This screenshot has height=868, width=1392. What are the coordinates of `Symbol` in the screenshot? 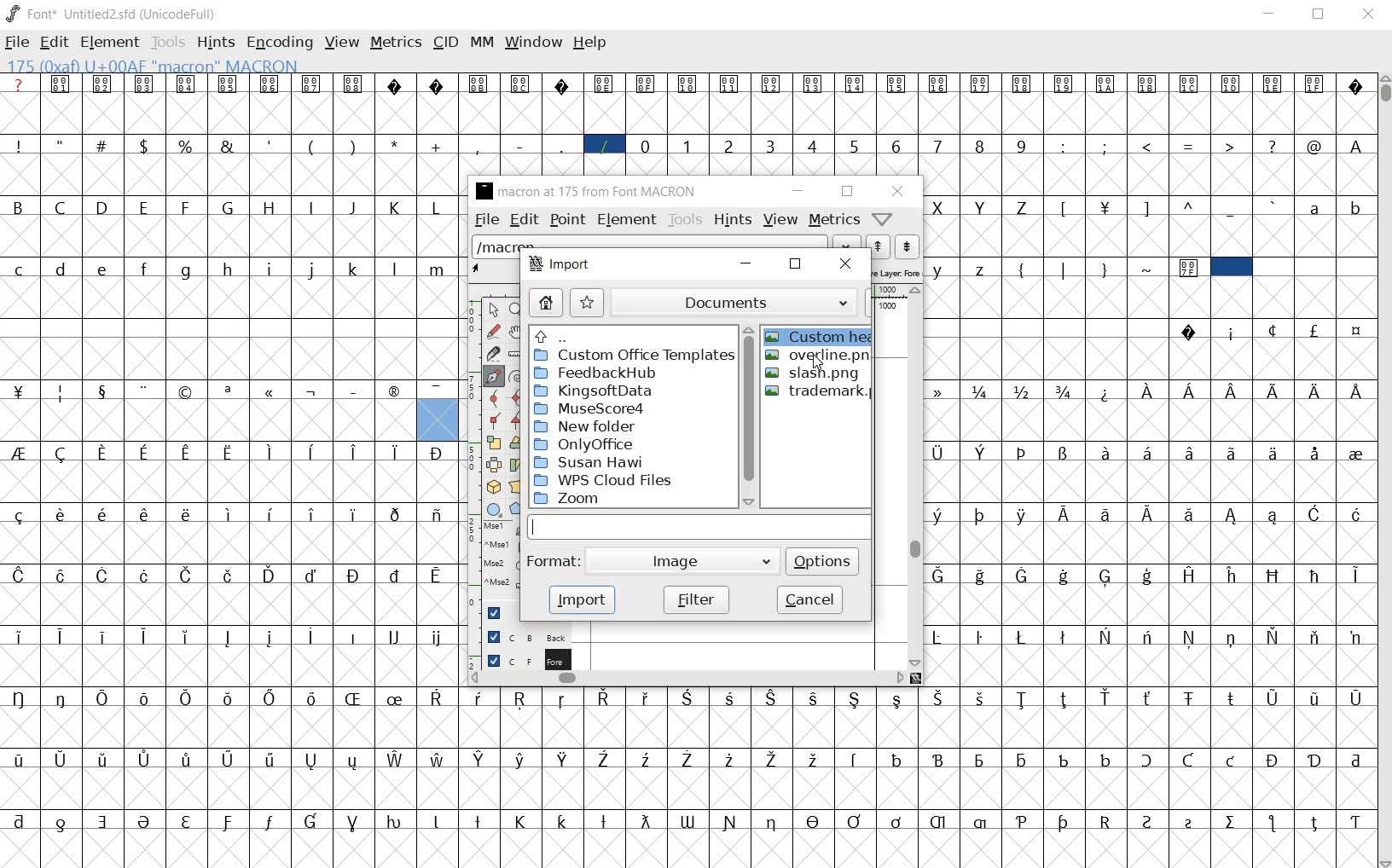 It's located at (858, 84).